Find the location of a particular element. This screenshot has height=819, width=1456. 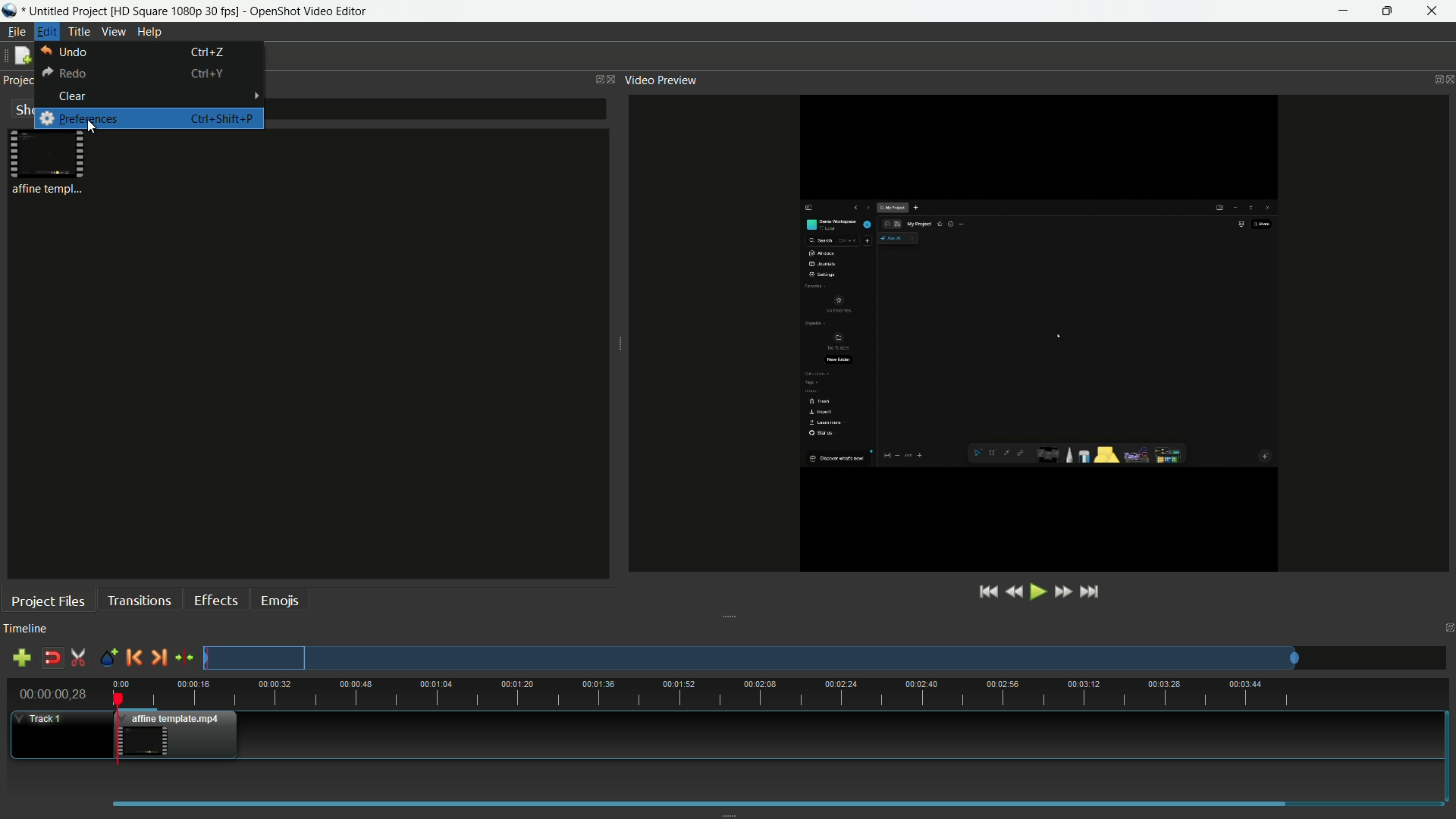

maximize is located at coordinates (1387, 11).